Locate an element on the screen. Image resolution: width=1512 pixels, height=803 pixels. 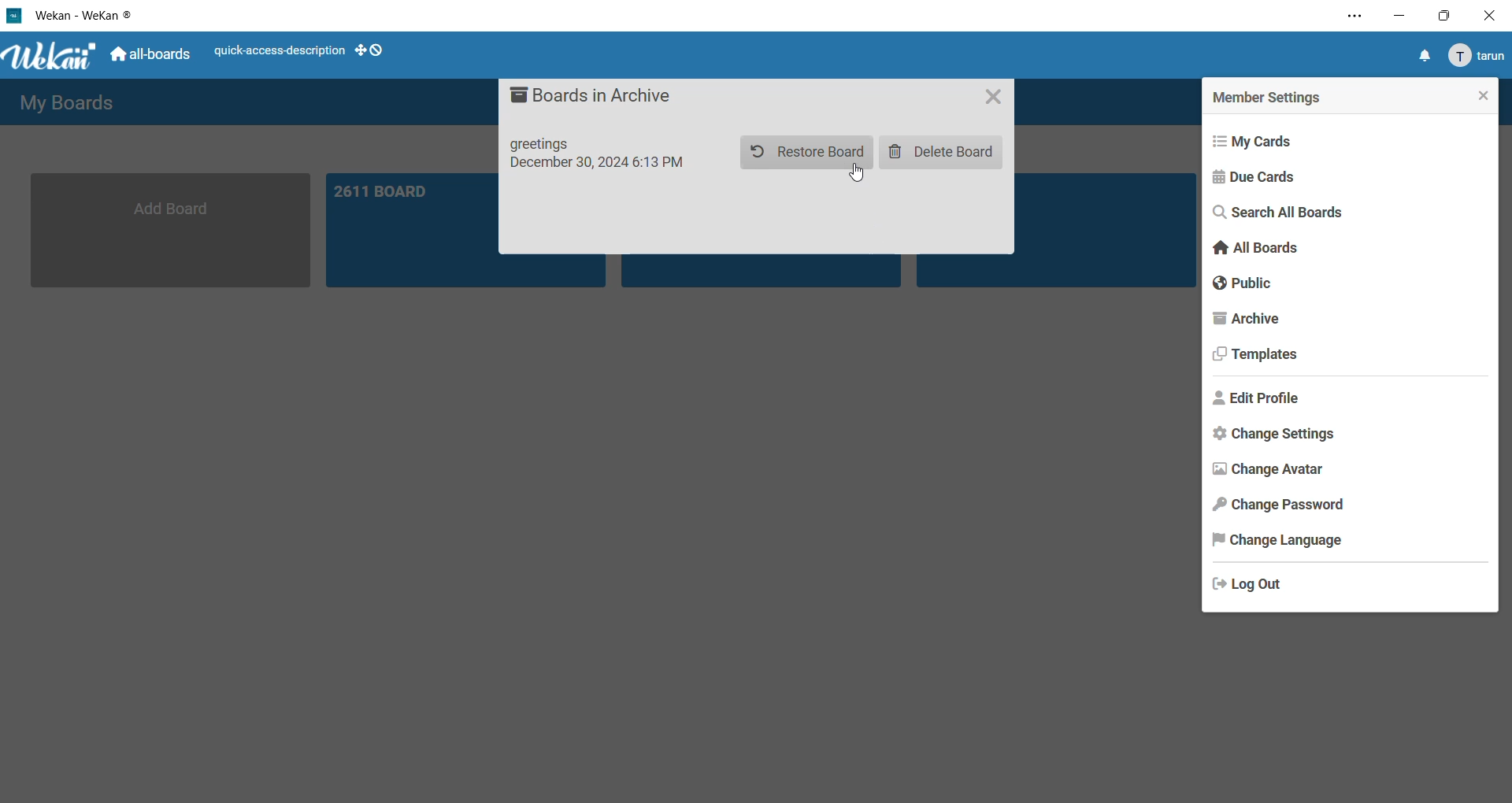
wekan is located at coordinates (51, 57).